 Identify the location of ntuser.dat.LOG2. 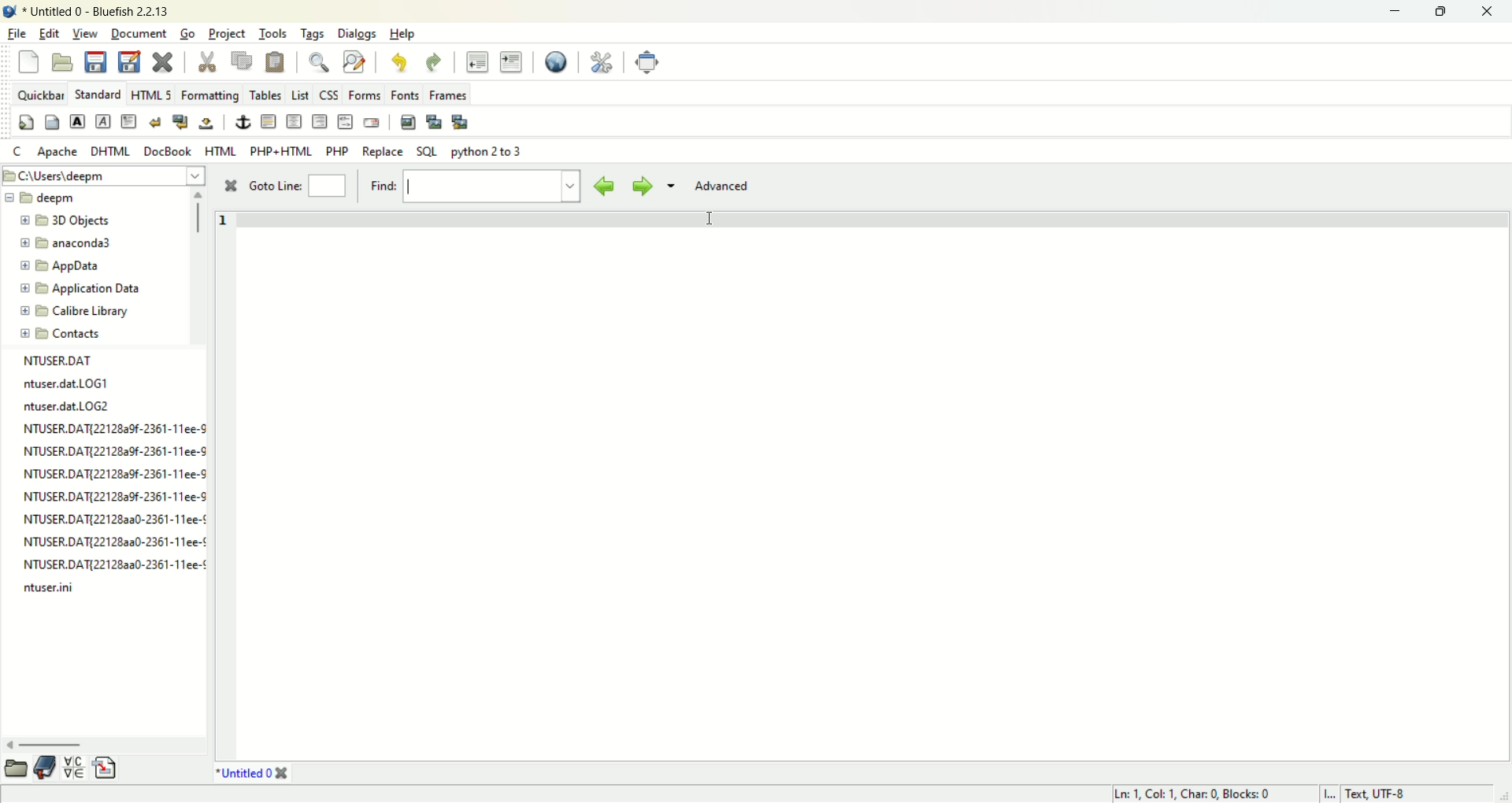
(67, 407).